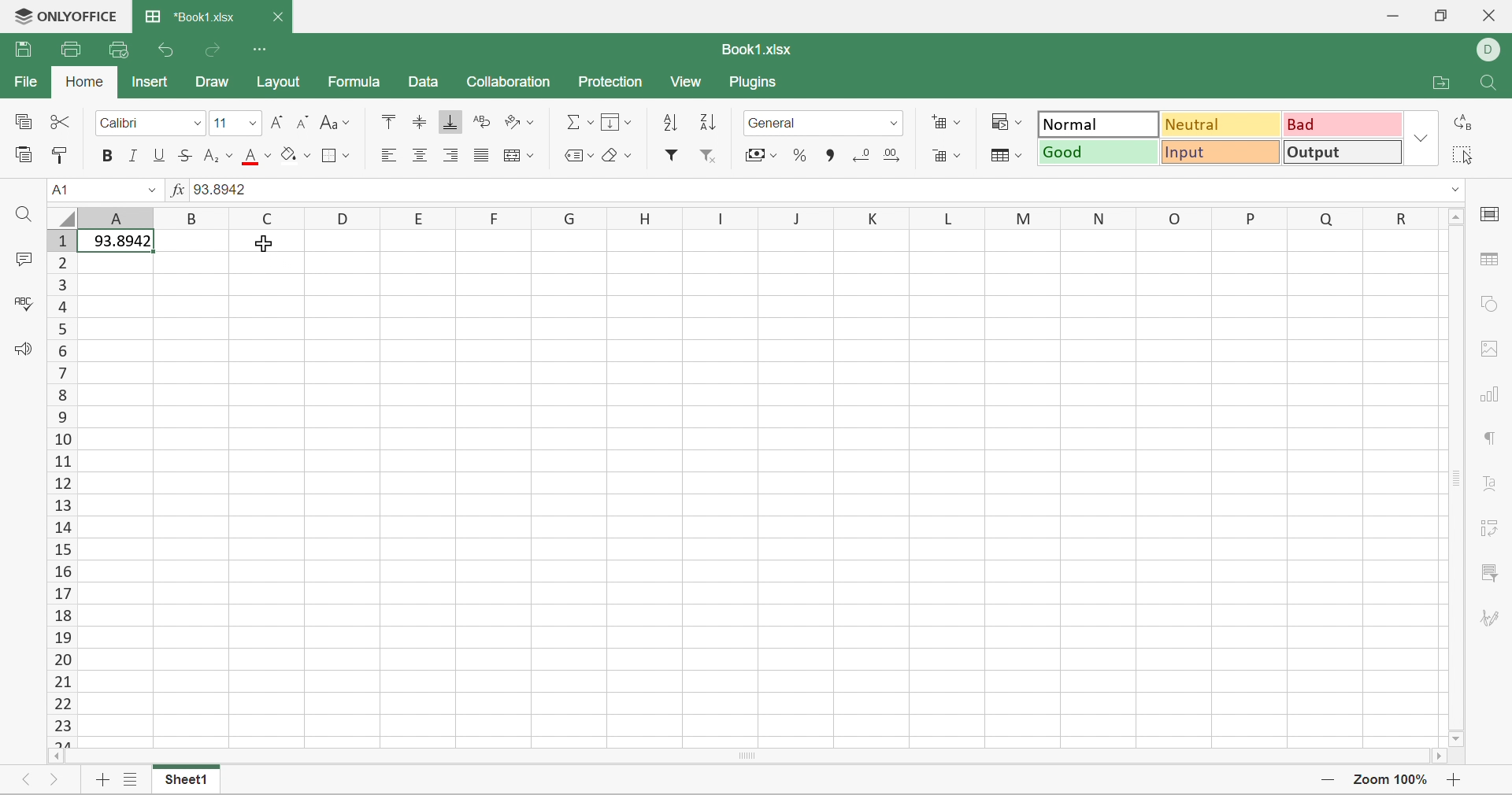  What do you see at coordinates (1492, 438) in the screenshot?
I see `paragraph settings` at bounding box center [1492, 438].